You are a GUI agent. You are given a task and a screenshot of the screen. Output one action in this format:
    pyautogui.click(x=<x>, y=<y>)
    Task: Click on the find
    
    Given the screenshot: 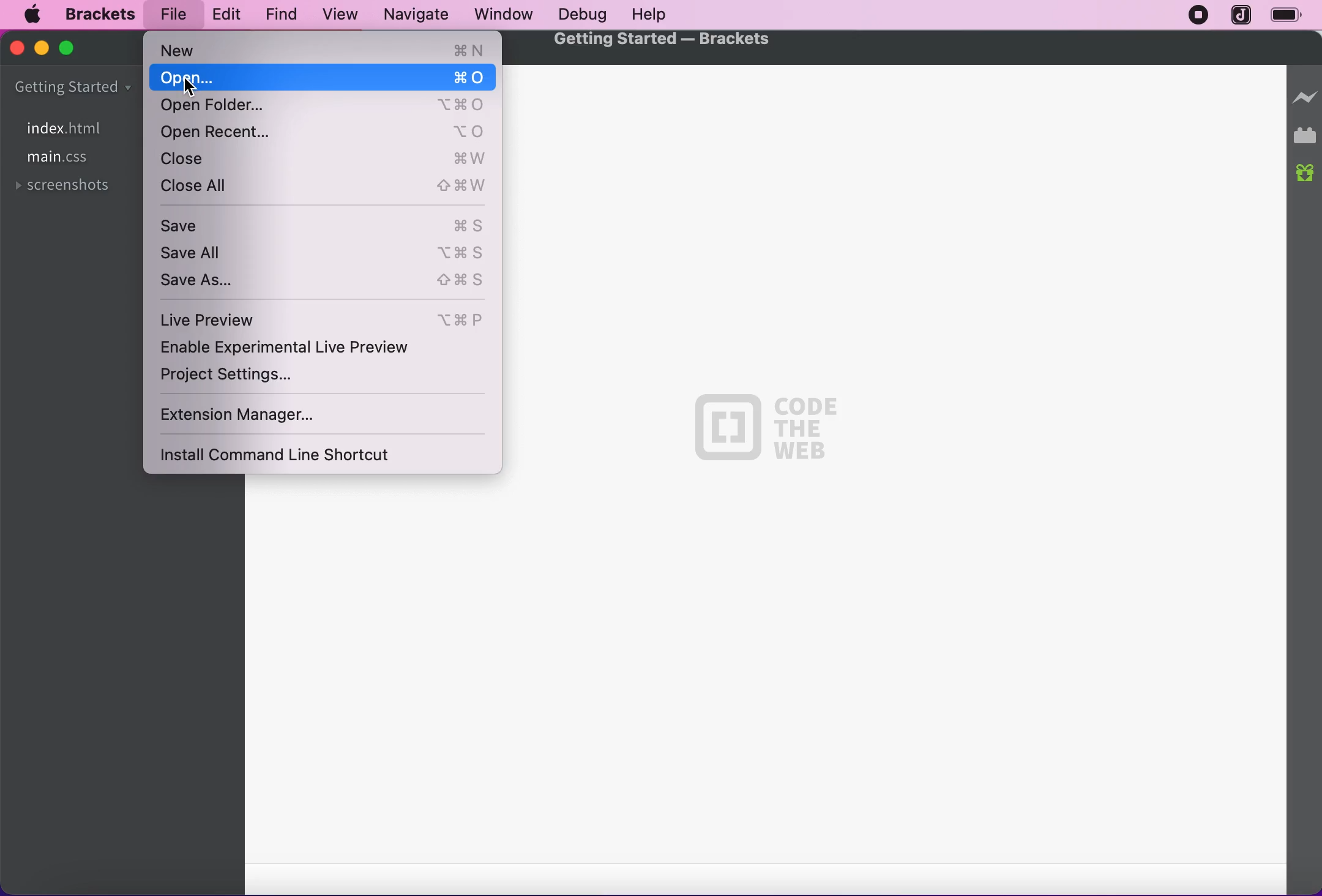 What is the action you would take?
    pyautogui.click(x=275, y=15)
    